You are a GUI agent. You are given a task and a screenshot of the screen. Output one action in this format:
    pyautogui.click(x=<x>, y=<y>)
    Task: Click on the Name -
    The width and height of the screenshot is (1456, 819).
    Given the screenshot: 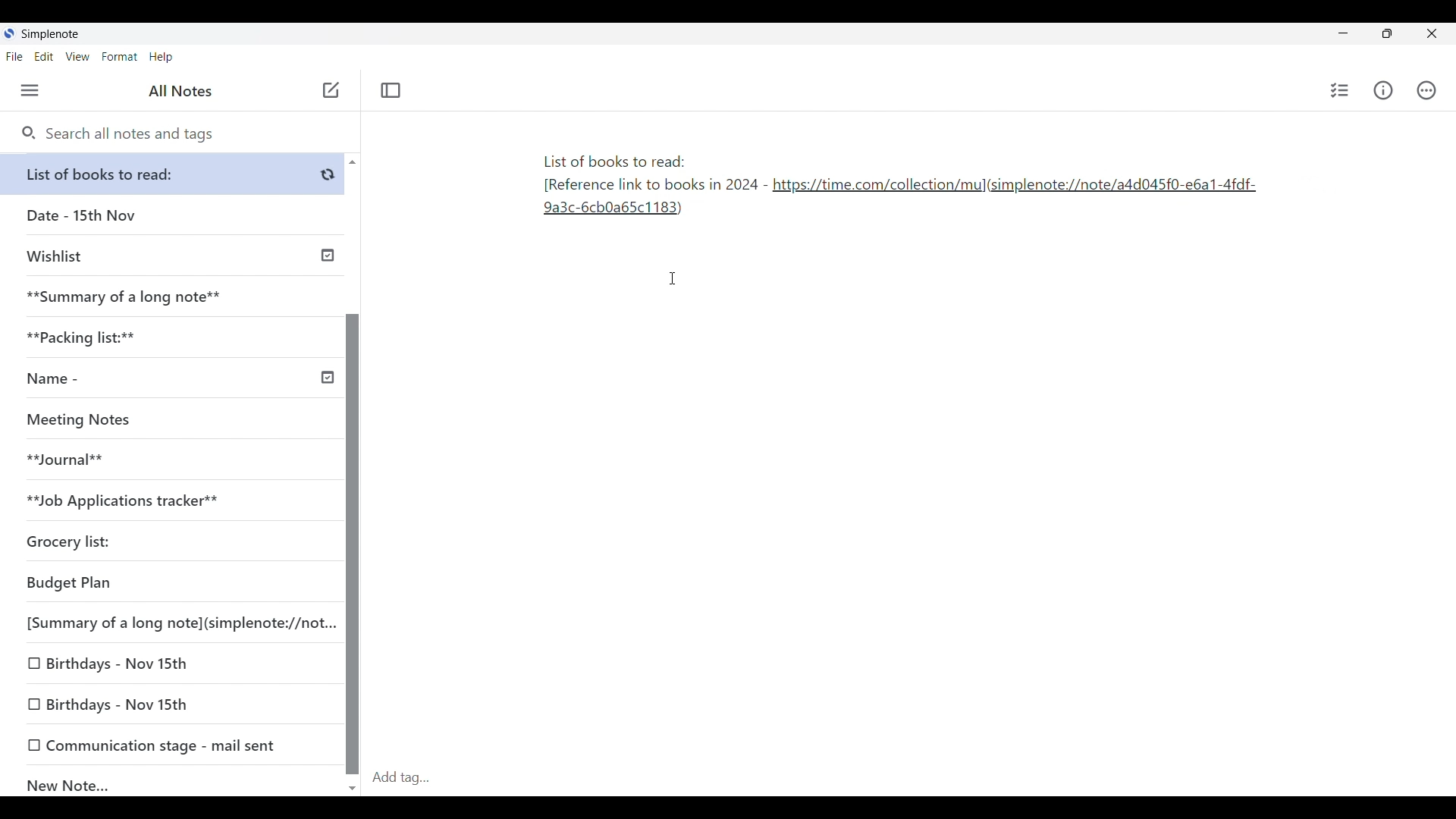 What is the action you would take?
    pyautogui.click(x=177, y=380)
    